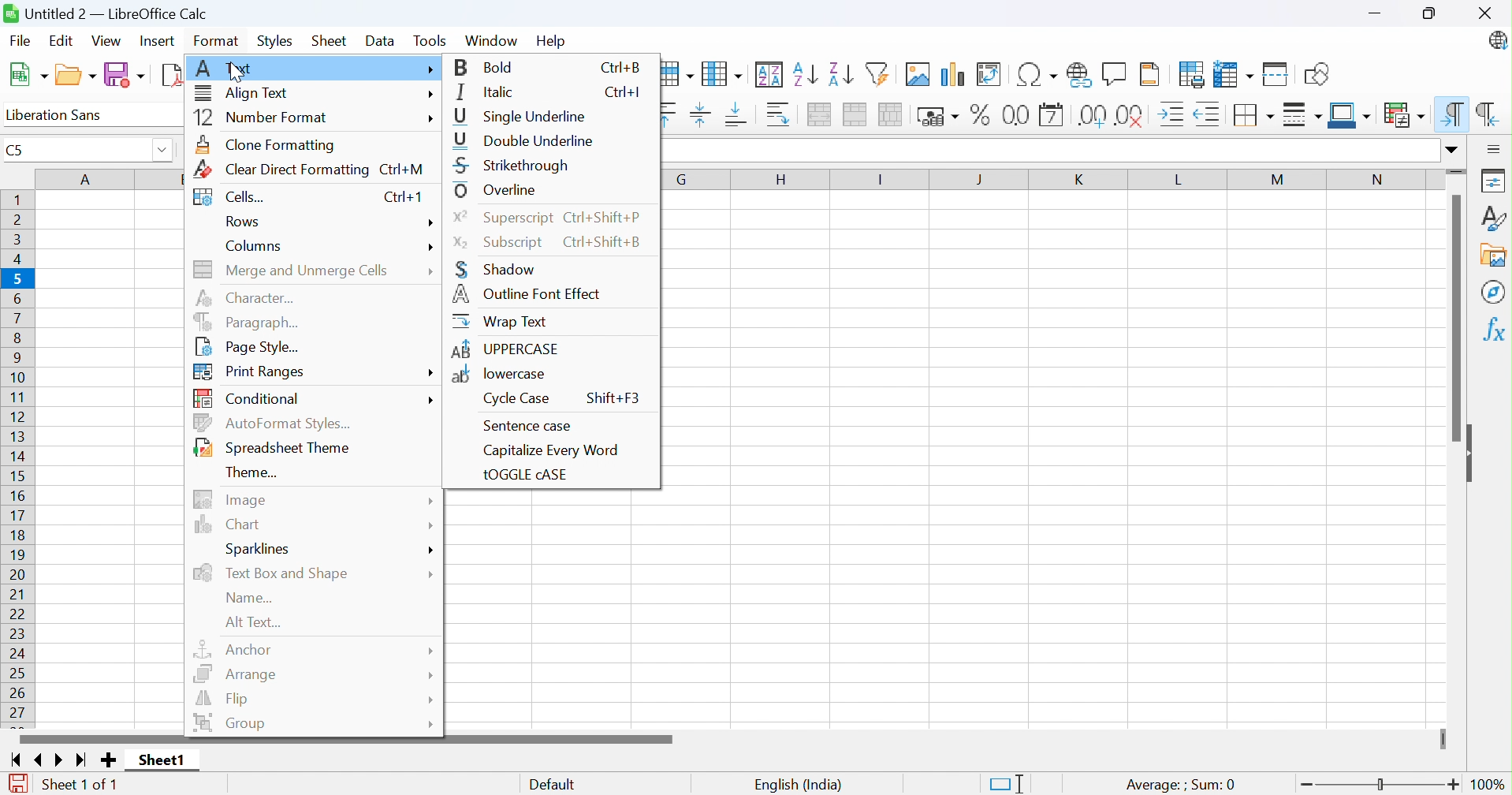  Describe the element at coordinates (770, 74) in the screenshot. I see `Sort` at that location.